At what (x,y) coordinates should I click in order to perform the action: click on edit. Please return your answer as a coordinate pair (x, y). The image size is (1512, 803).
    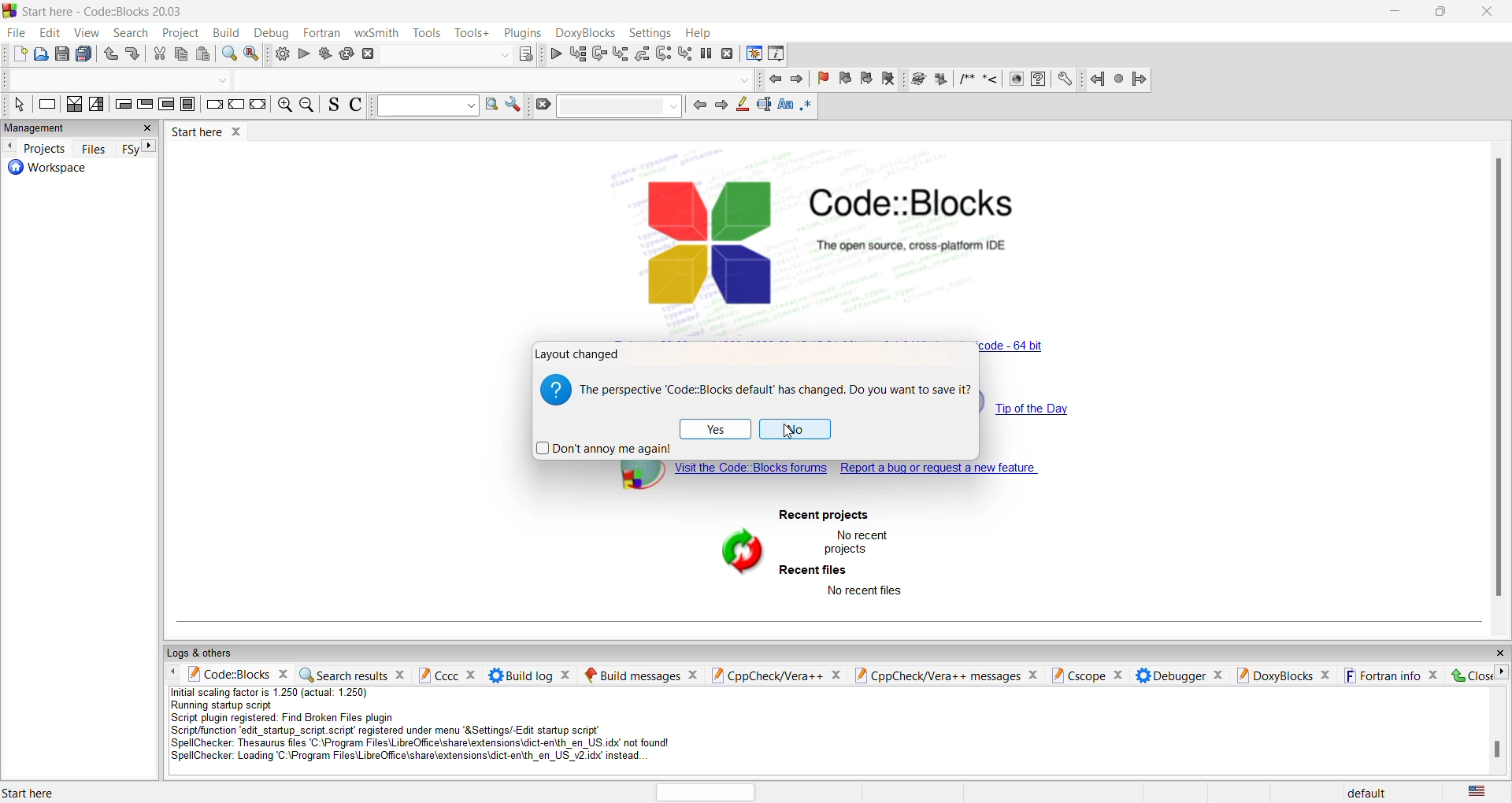
    Looking at the image, I should click on (50, 33).